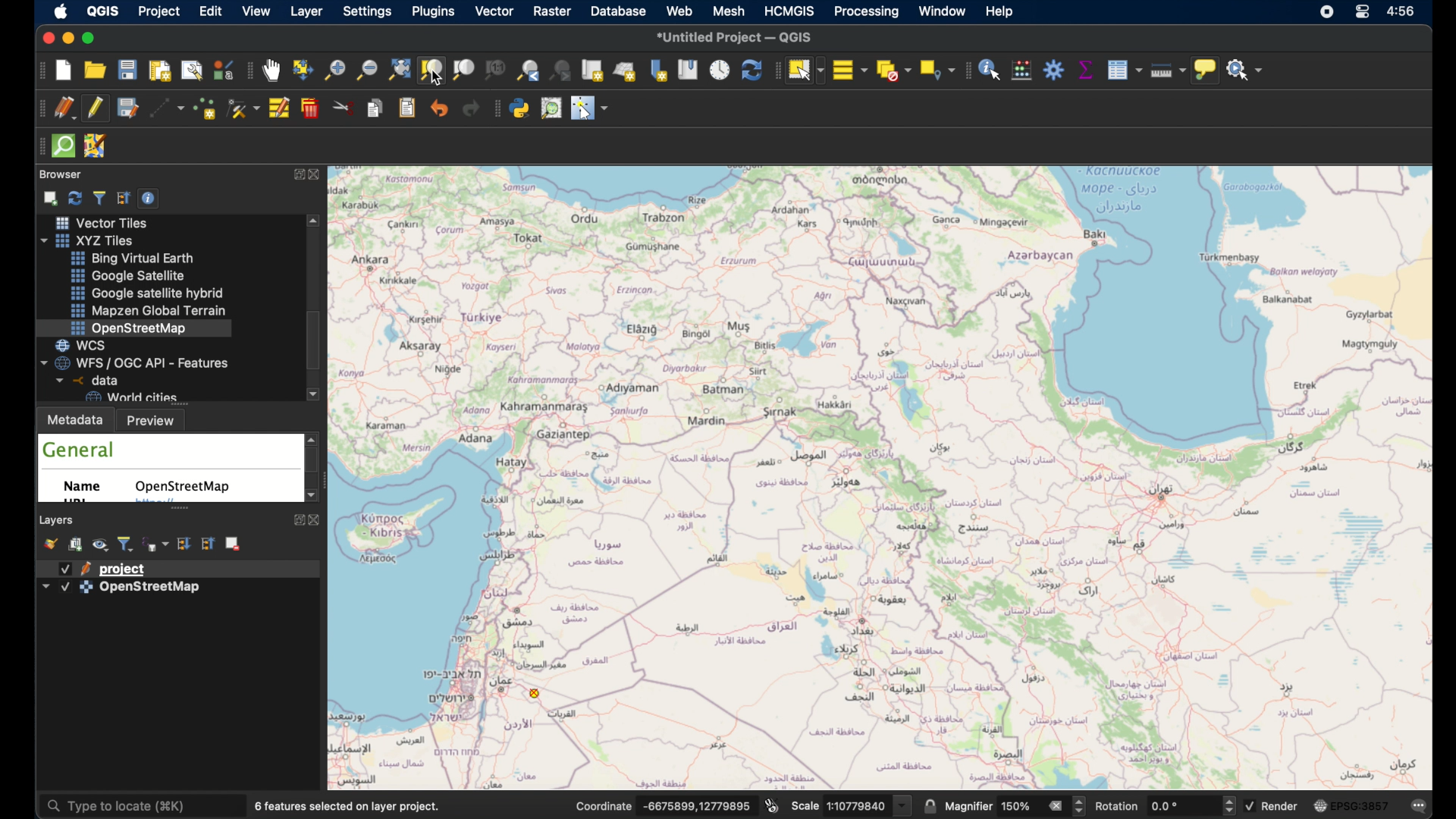 Image resolution: width=1456 pixels, height=819 pixels. Describe the element at coordinates (63, 146) in the screenshot. I see `quick osm` at that location.